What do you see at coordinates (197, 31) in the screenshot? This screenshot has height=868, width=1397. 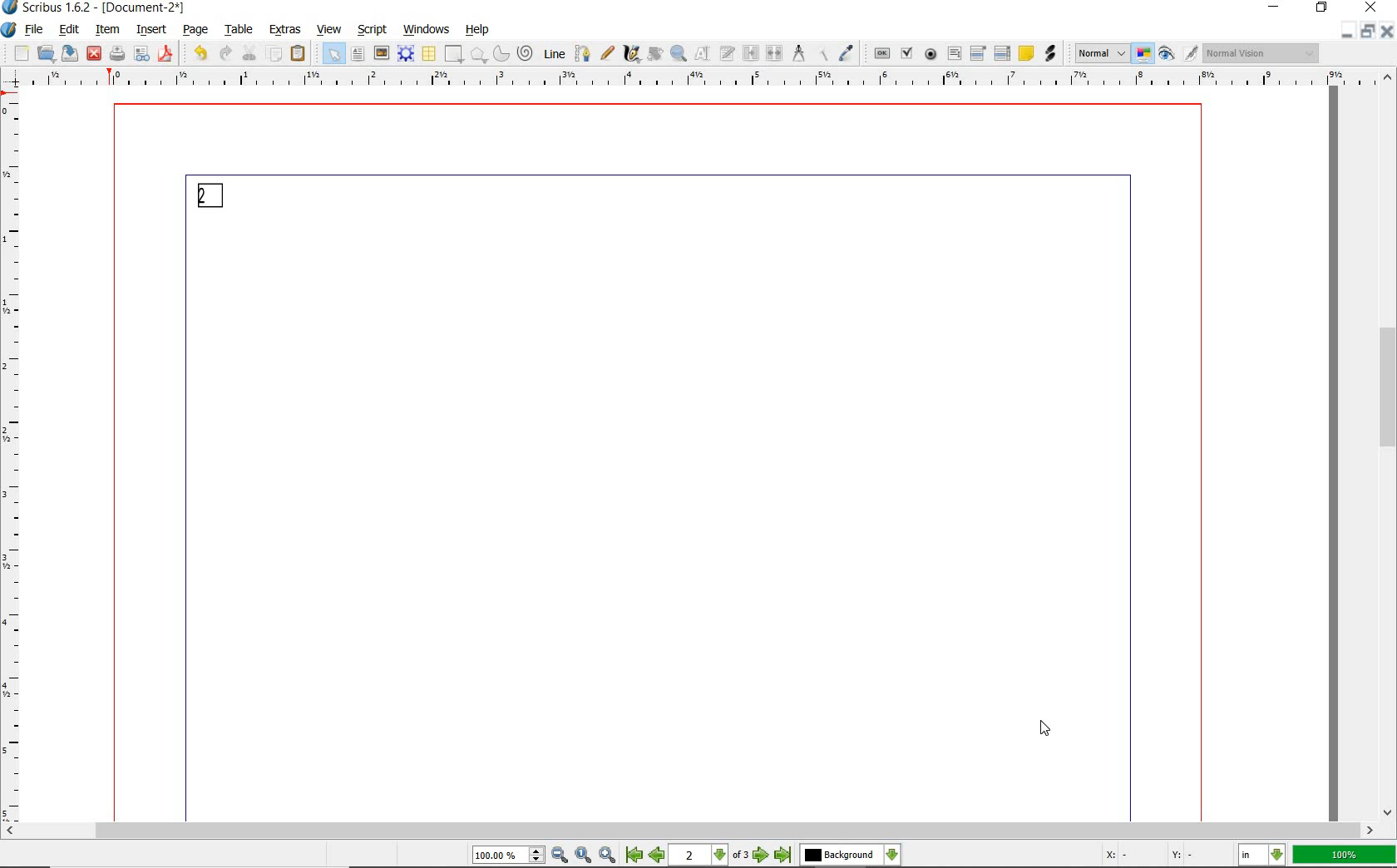 I see `page` at bounding box center [197, 31].